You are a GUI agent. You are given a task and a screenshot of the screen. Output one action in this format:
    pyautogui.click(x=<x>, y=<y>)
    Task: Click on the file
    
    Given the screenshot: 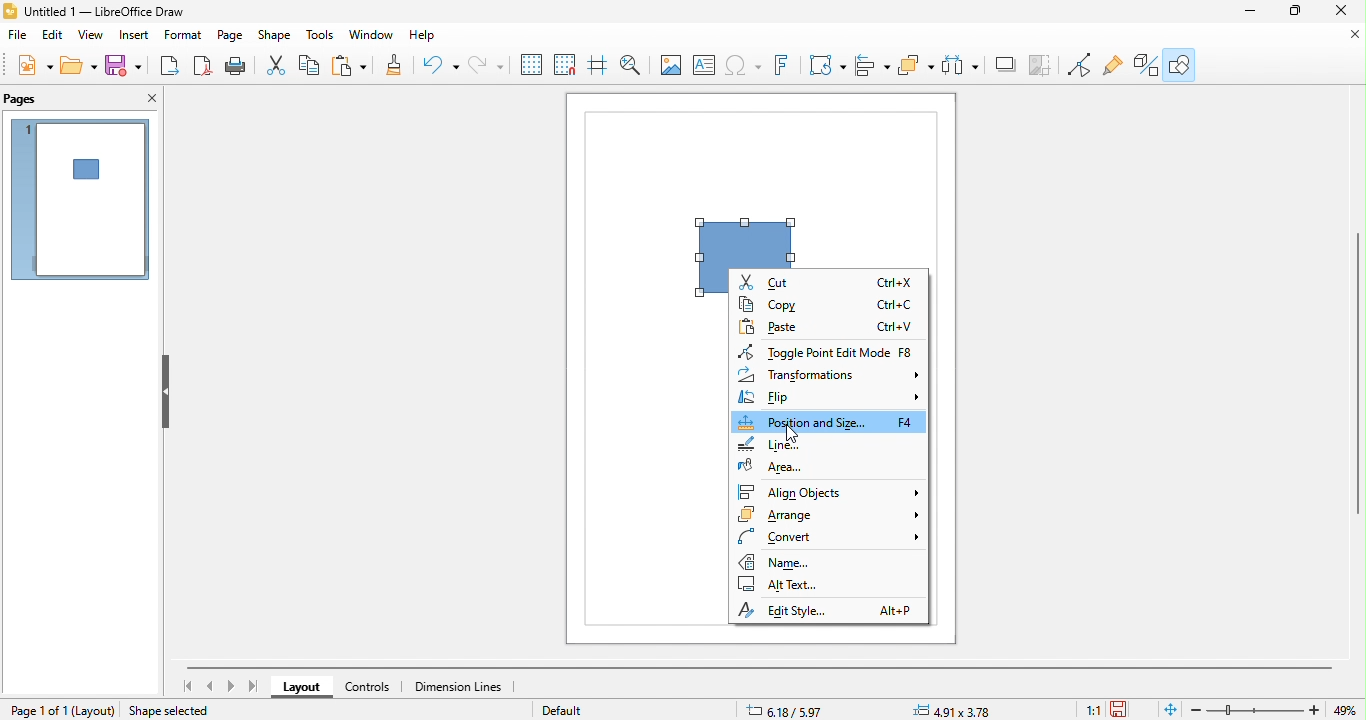 What is the action you would take?
    pyautogui.click(x=17, y=35)
    